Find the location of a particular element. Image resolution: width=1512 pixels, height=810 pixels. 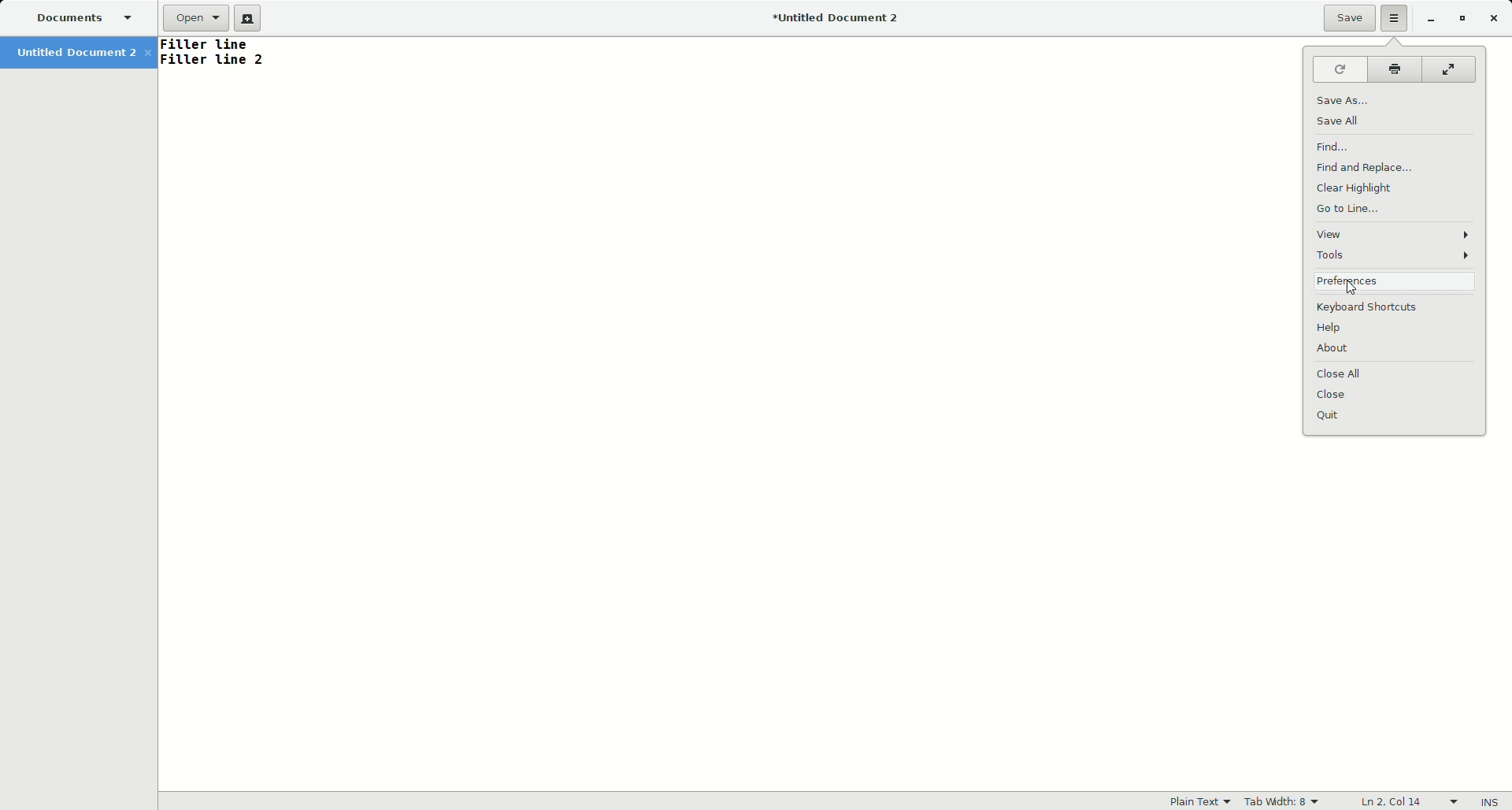

Plain Text is located at coordinates (1195, 801).